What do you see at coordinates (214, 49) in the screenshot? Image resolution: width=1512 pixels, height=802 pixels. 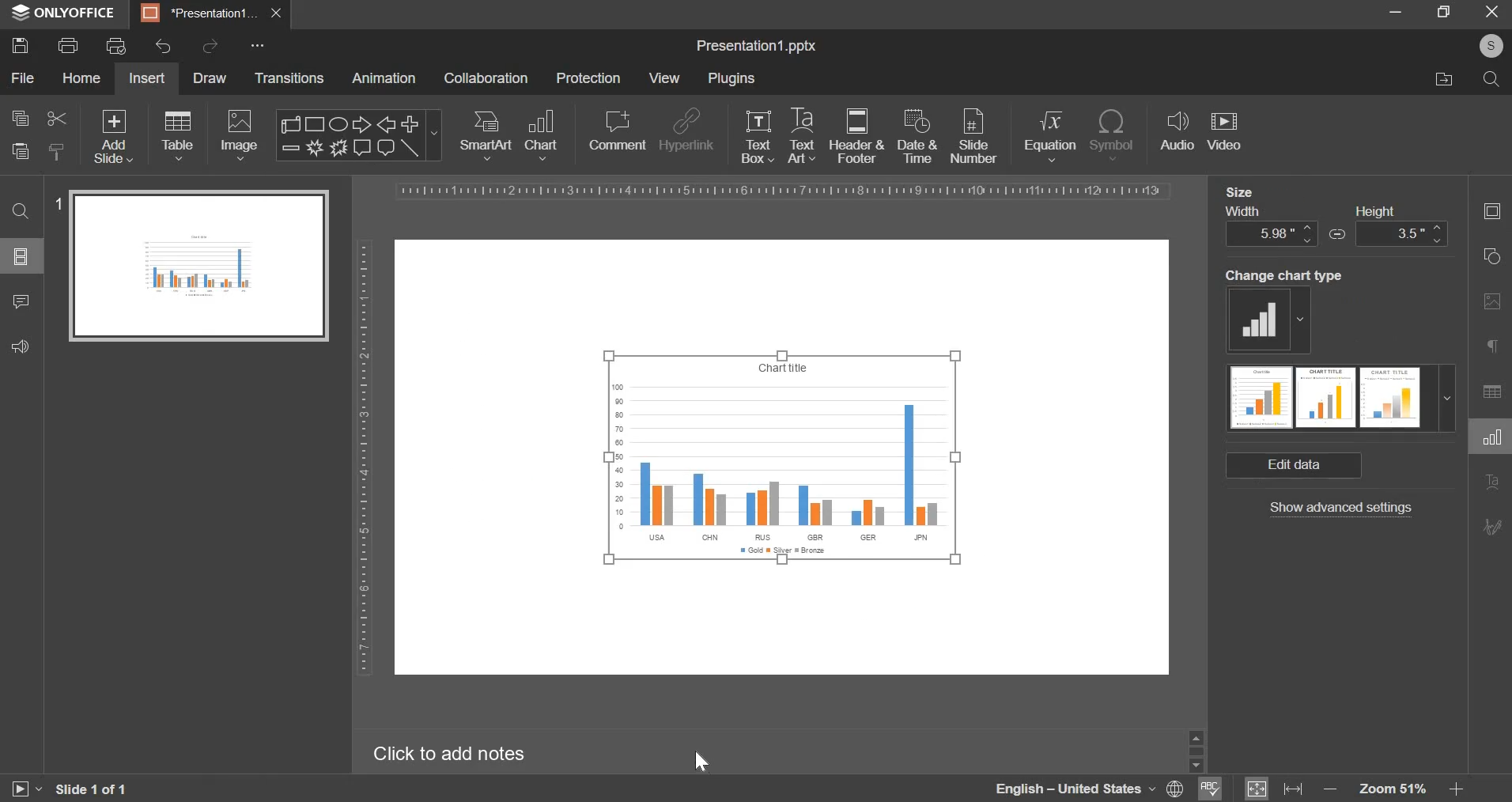 I see `redo` at bounding box center [214, 49].